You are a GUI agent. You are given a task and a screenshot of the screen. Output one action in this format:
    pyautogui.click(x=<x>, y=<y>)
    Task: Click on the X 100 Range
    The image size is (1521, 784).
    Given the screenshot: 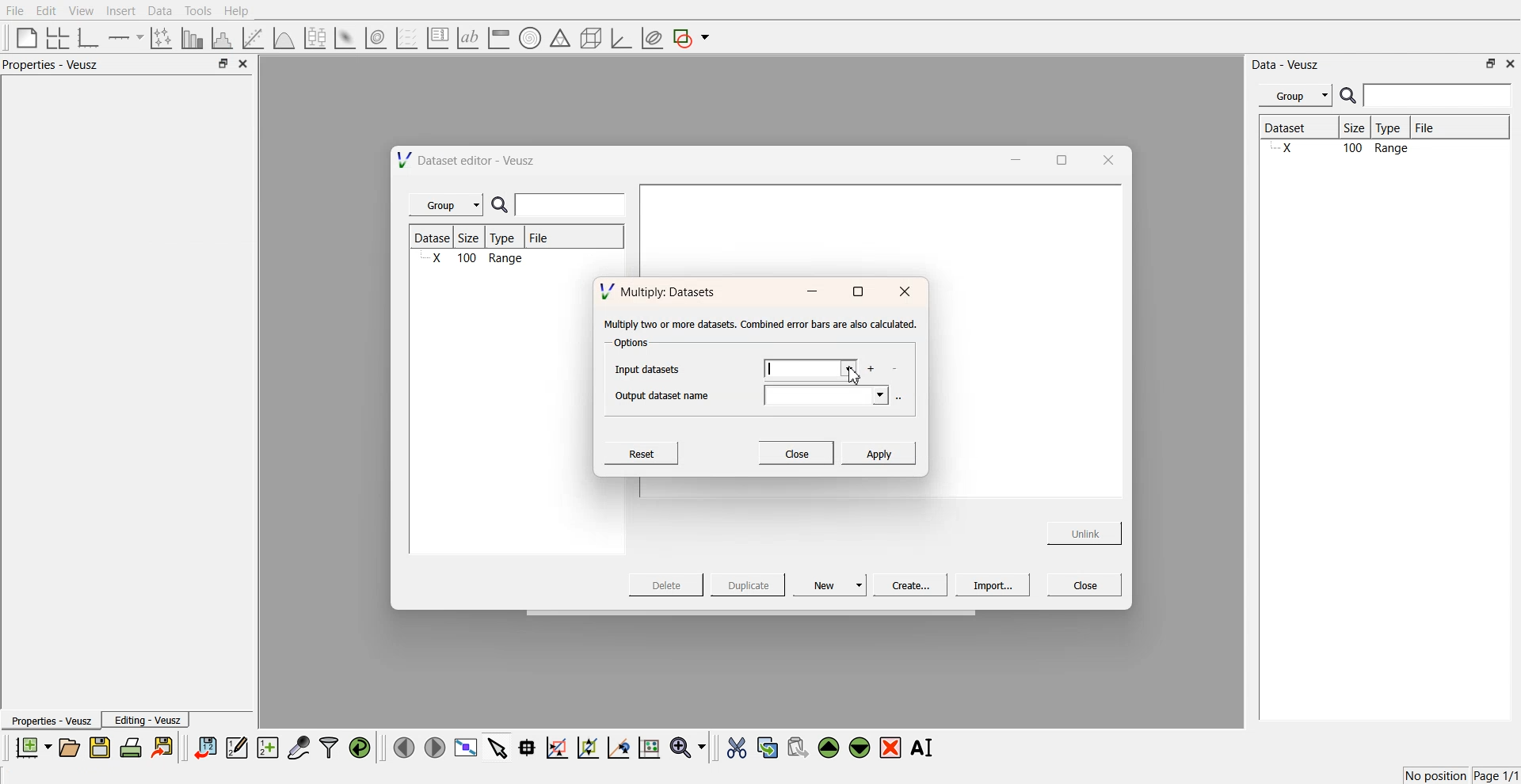 What is the action you would take?
    pyautogui.click(x=475, y=260)
    